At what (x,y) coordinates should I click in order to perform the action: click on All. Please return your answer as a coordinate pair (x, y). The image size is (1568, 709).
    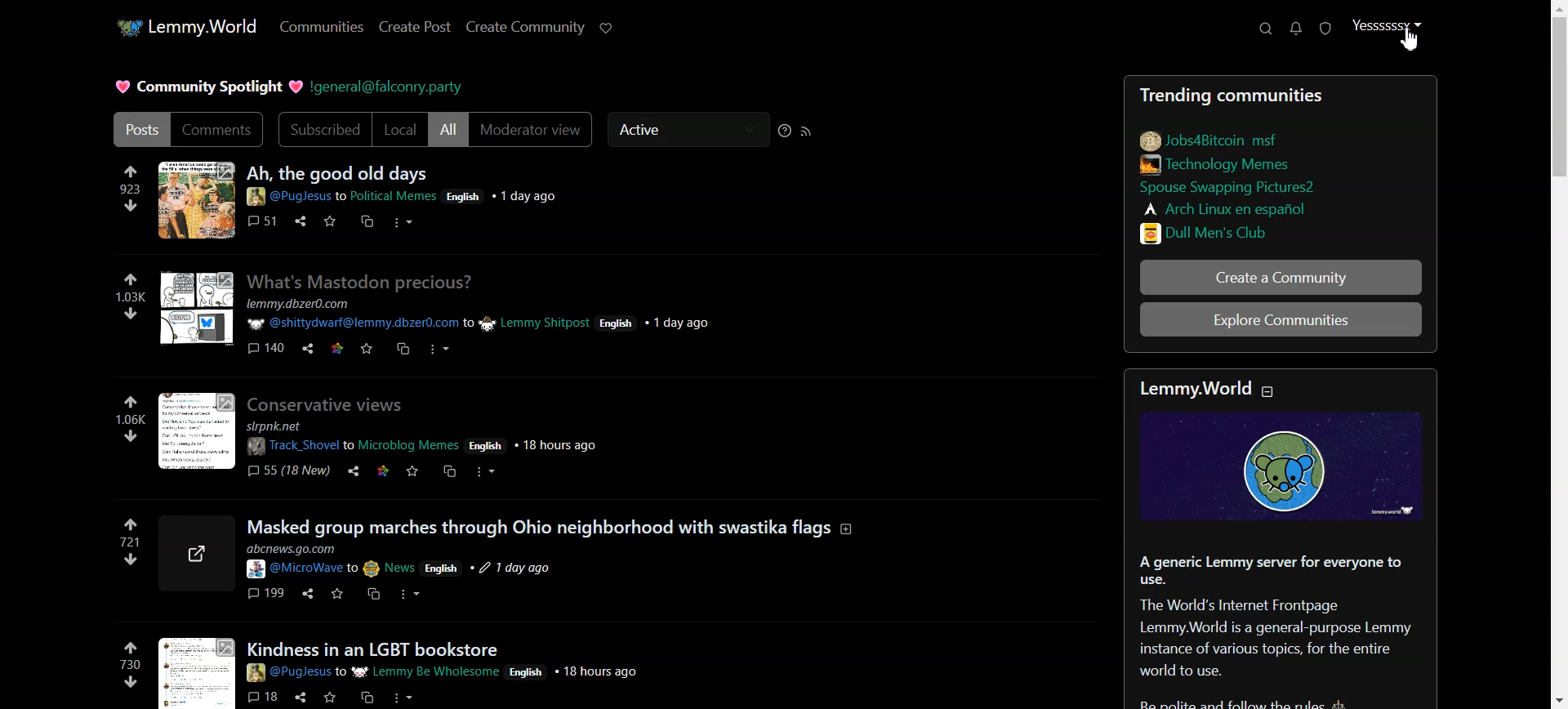
    Looking at the image, I should click on (448, 131).